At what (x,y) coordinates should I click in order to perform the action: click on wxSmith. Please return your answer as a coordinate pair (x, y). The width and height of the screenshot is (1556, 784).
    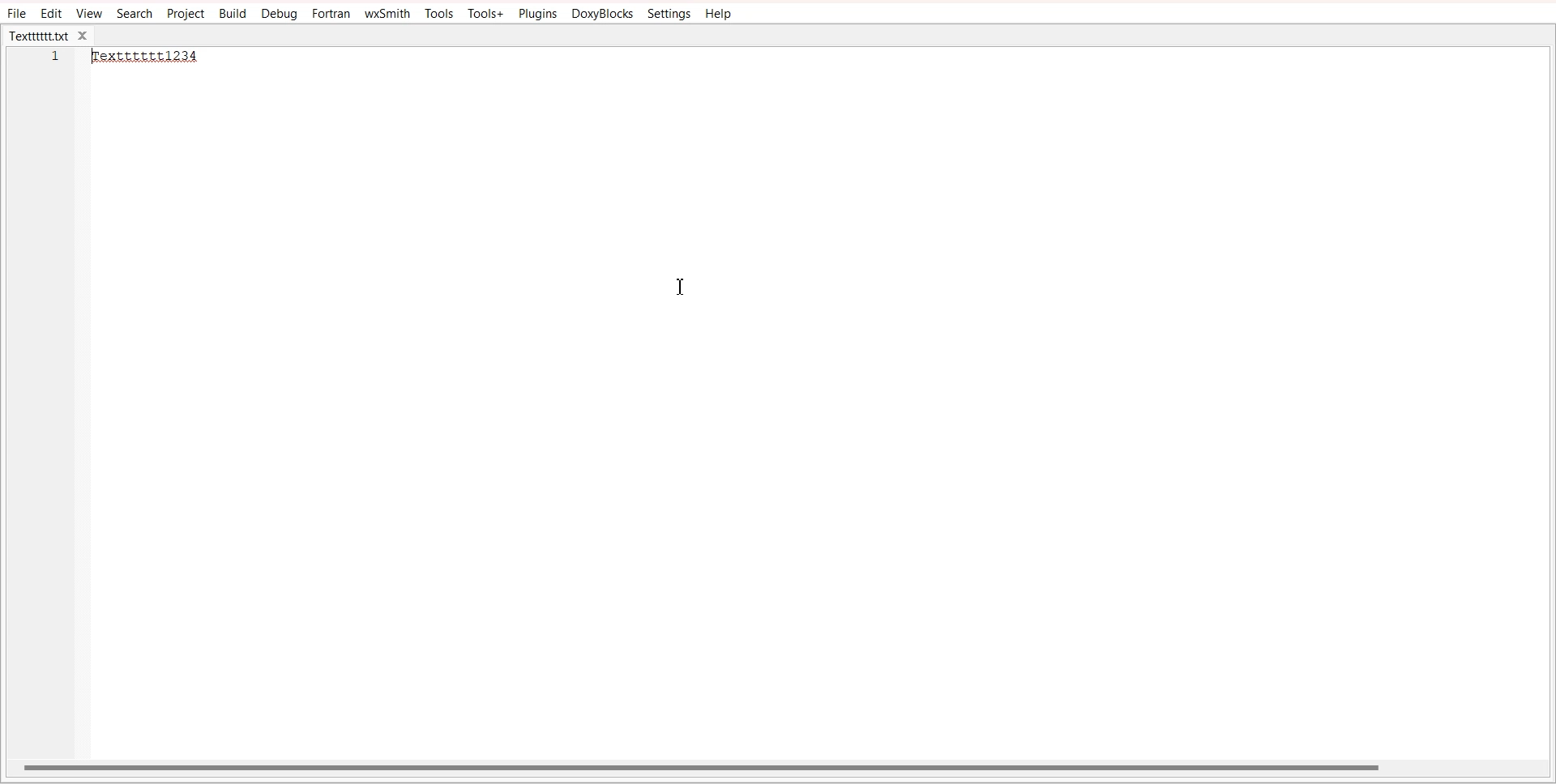
    Looking at the image, I should click on (387, 13).